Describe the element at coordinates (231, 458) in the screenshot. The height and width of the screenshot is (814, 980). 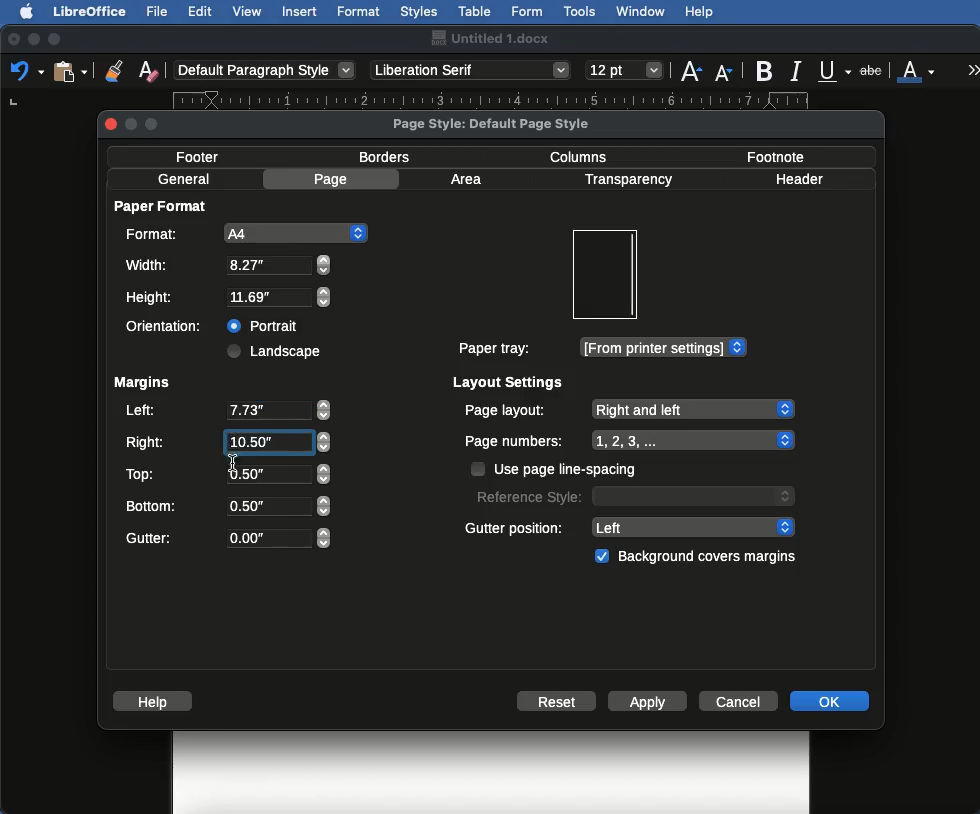
I see `` at that location.